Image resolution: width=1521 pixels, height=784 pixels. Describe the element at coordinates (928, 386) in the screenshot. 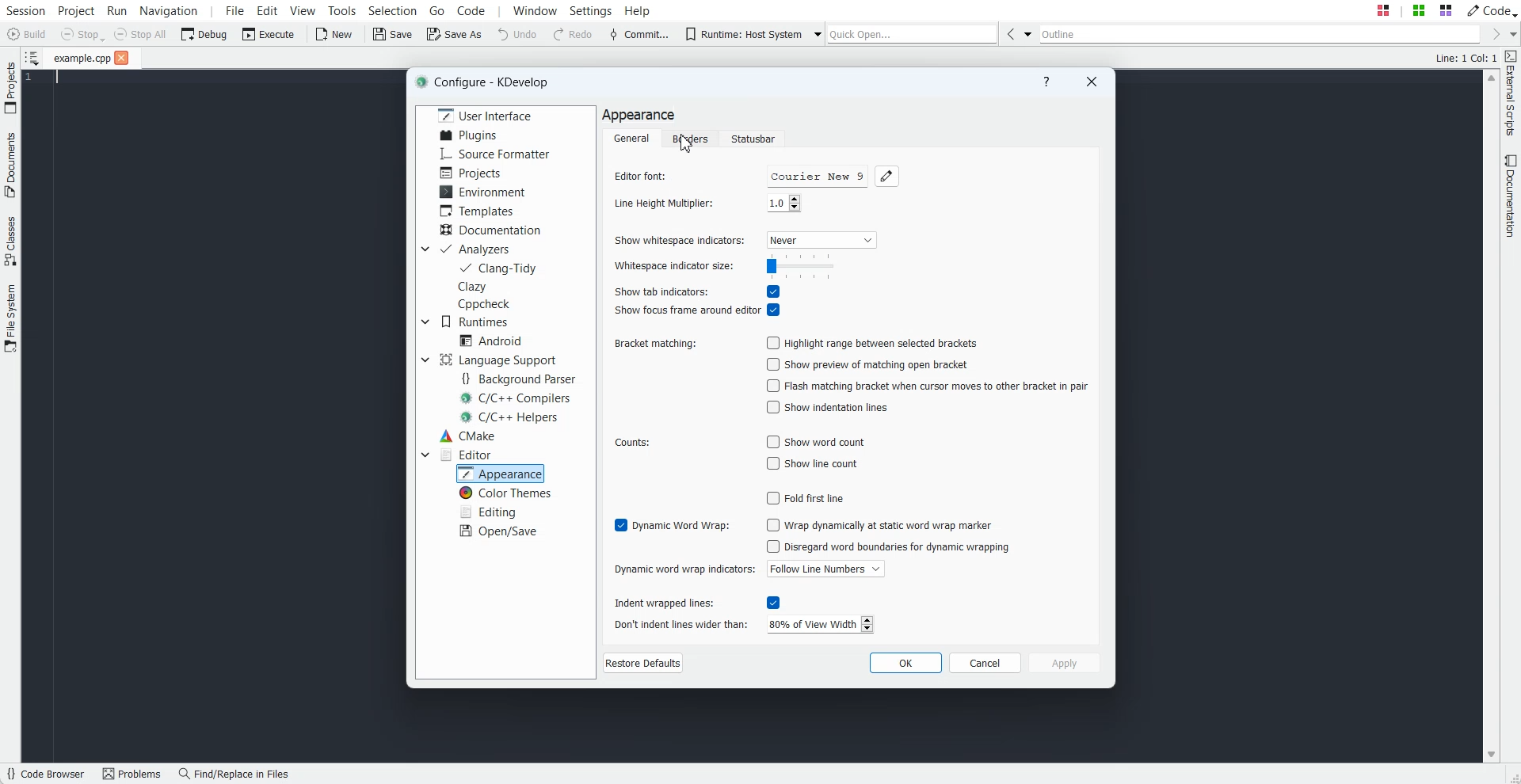

I see `Disable Flash matching bracket when cursor moves to other bracket in pair` at that location.